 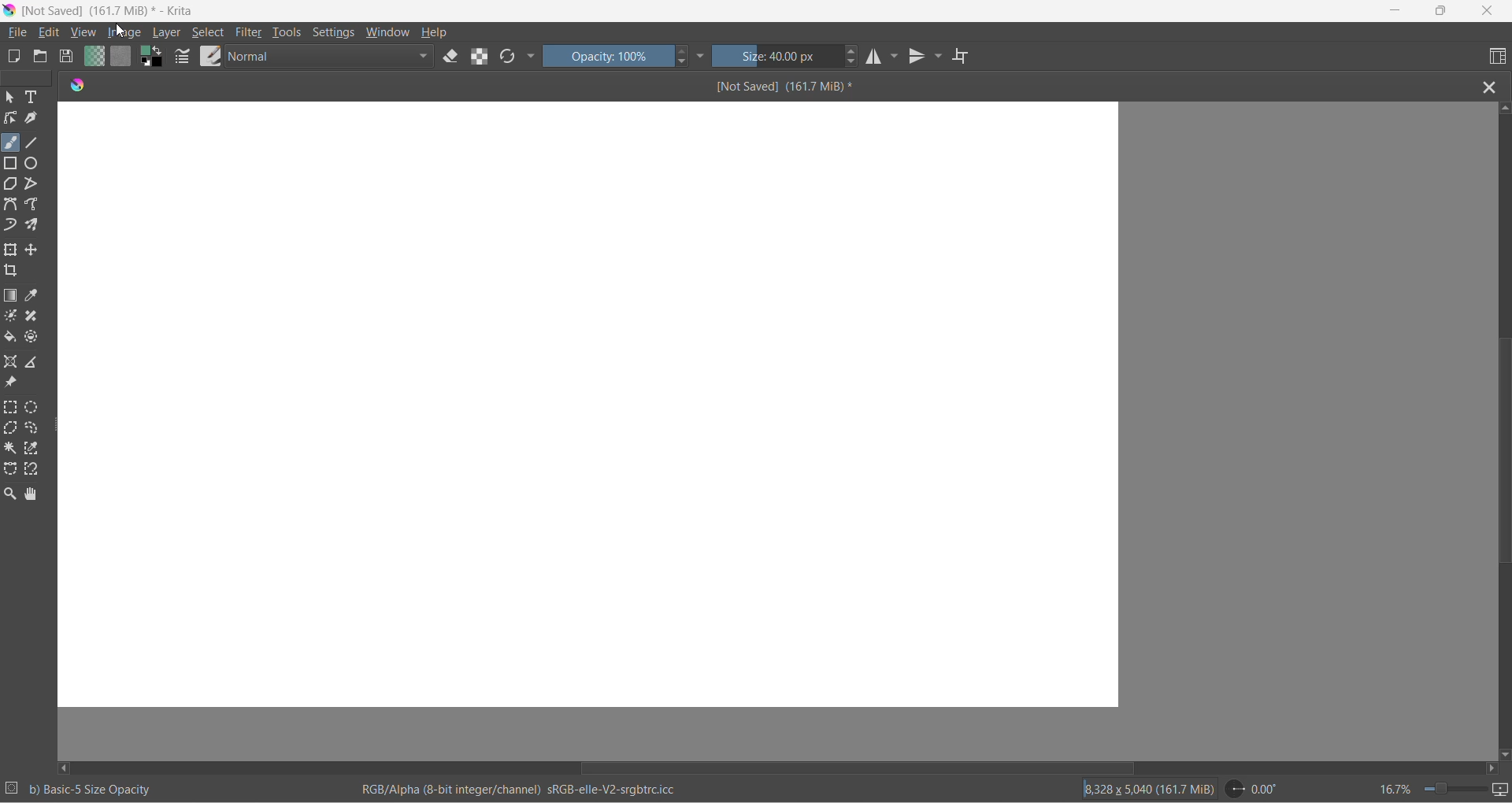 I want to click on edit shape tool, so click(x=10, y=118).